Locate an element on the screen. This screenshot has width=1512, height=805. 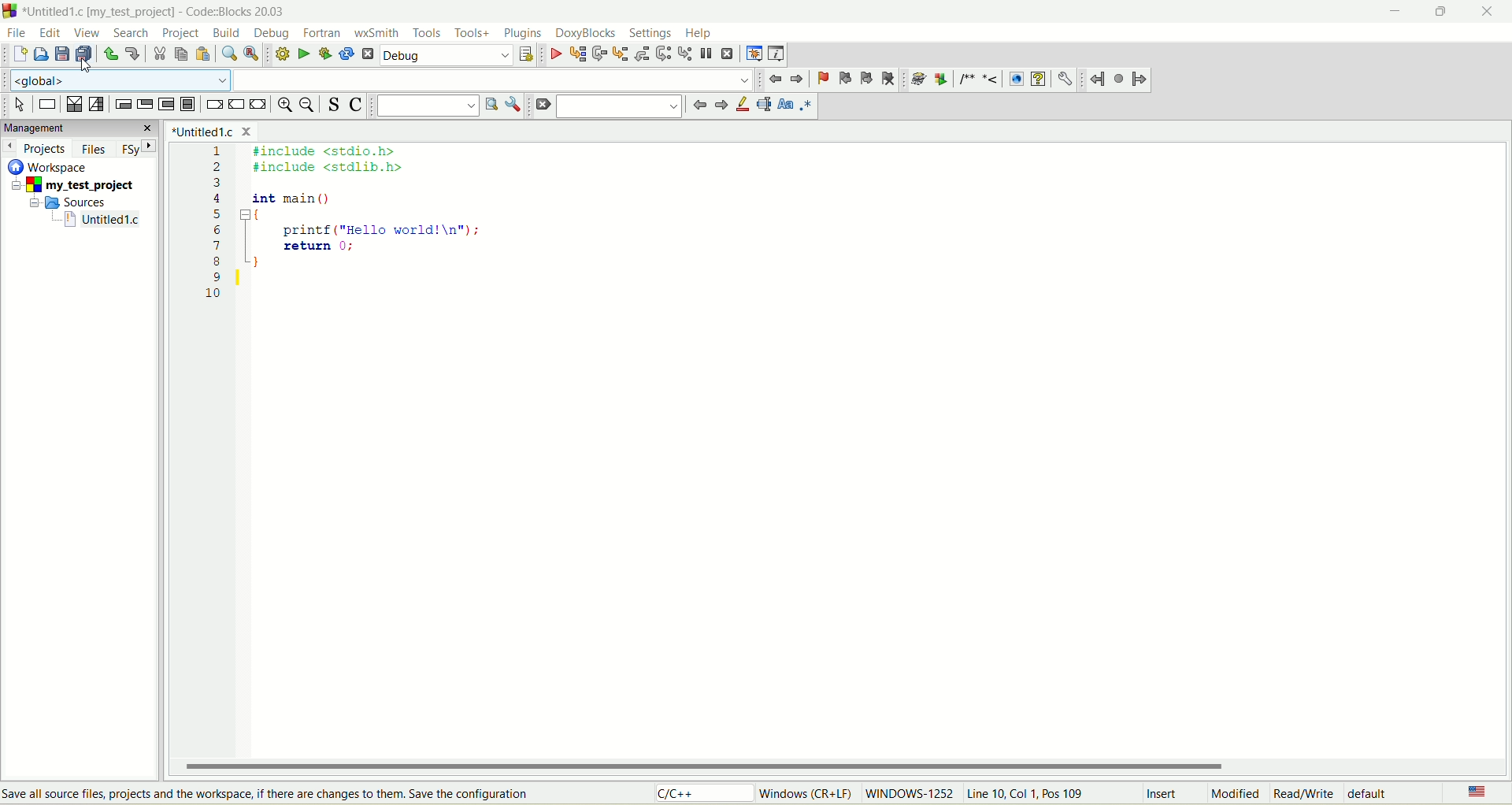
step into instruction is located at coordinates (684, 54).